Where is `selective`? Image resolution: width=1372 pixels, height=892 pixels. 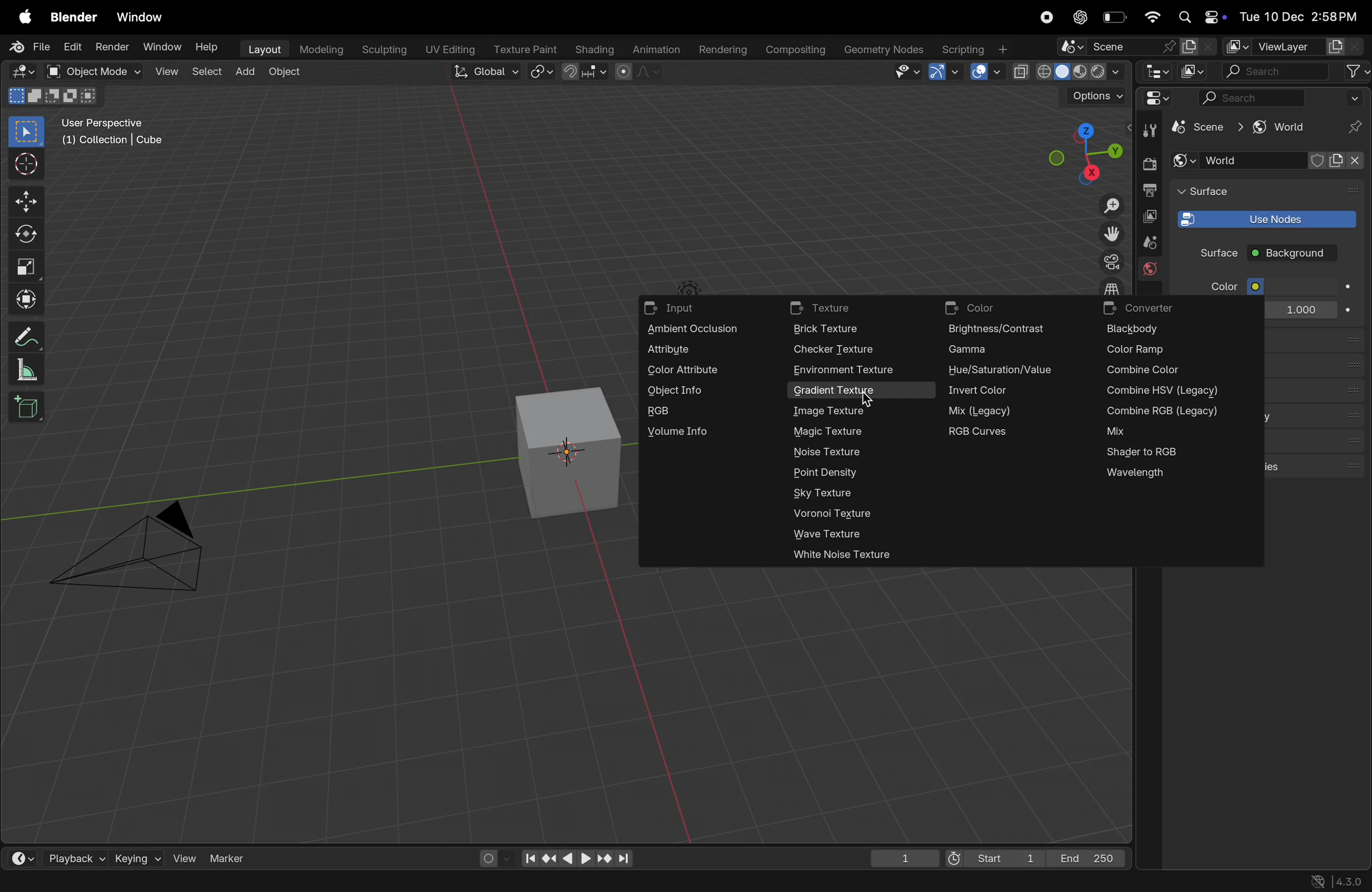 selective is located at coordinates (27, 131).